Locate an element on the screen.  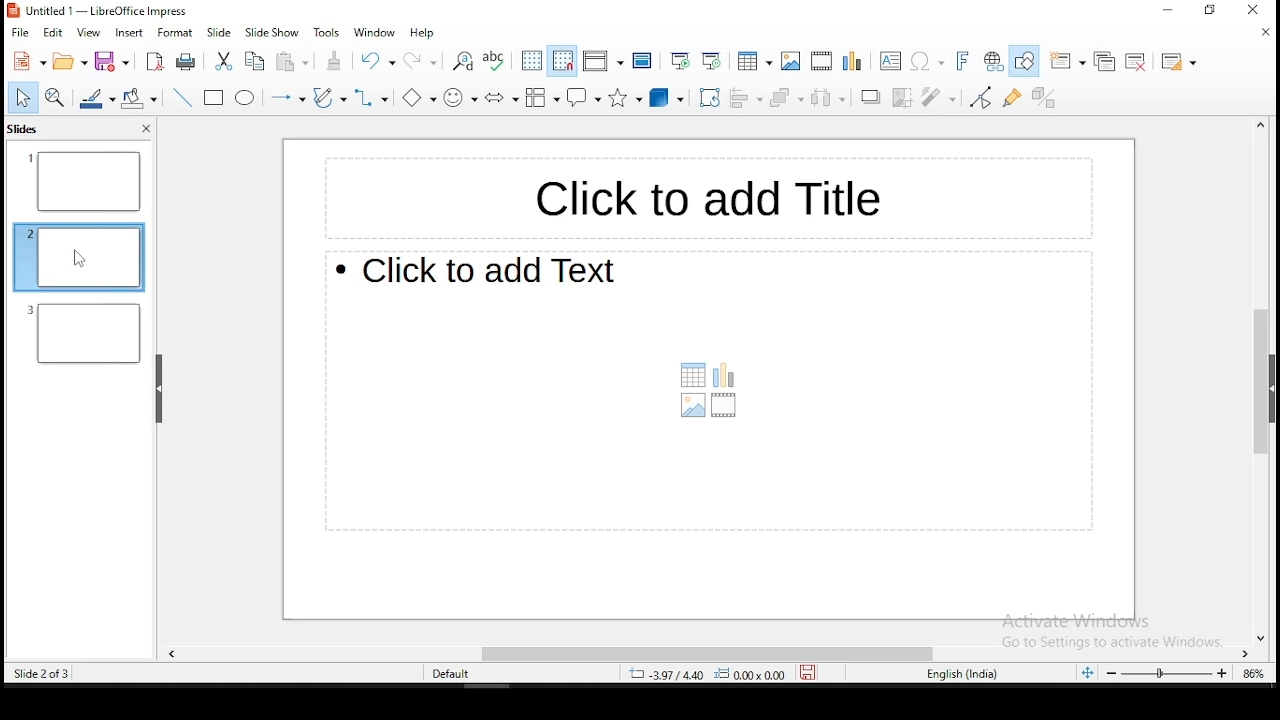
rectangle tool is located at coordinates (212, 98).